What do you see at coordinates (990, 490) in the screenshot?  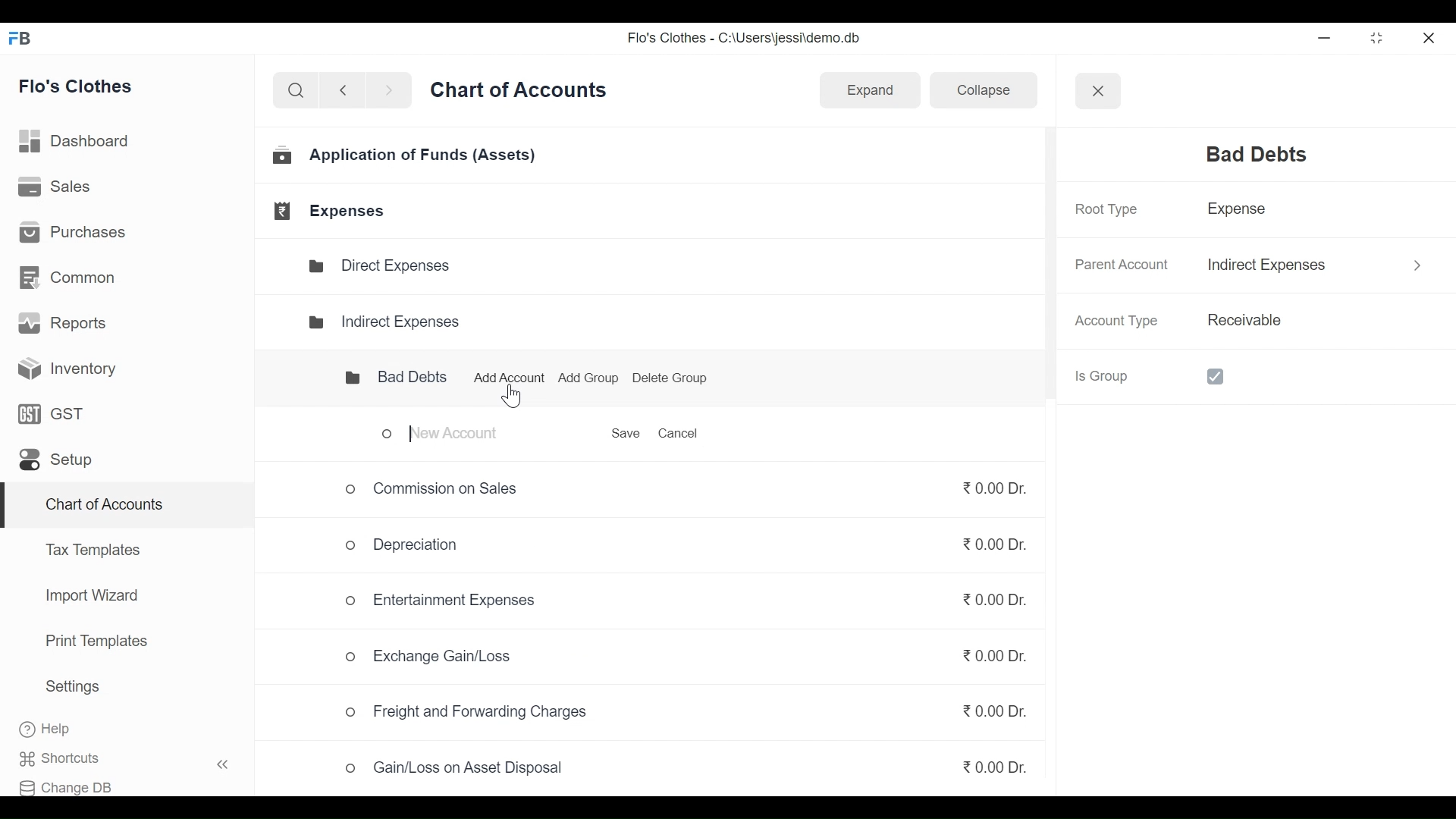 I see `₹0.00 Dr.` at bounding box center [990, 490].